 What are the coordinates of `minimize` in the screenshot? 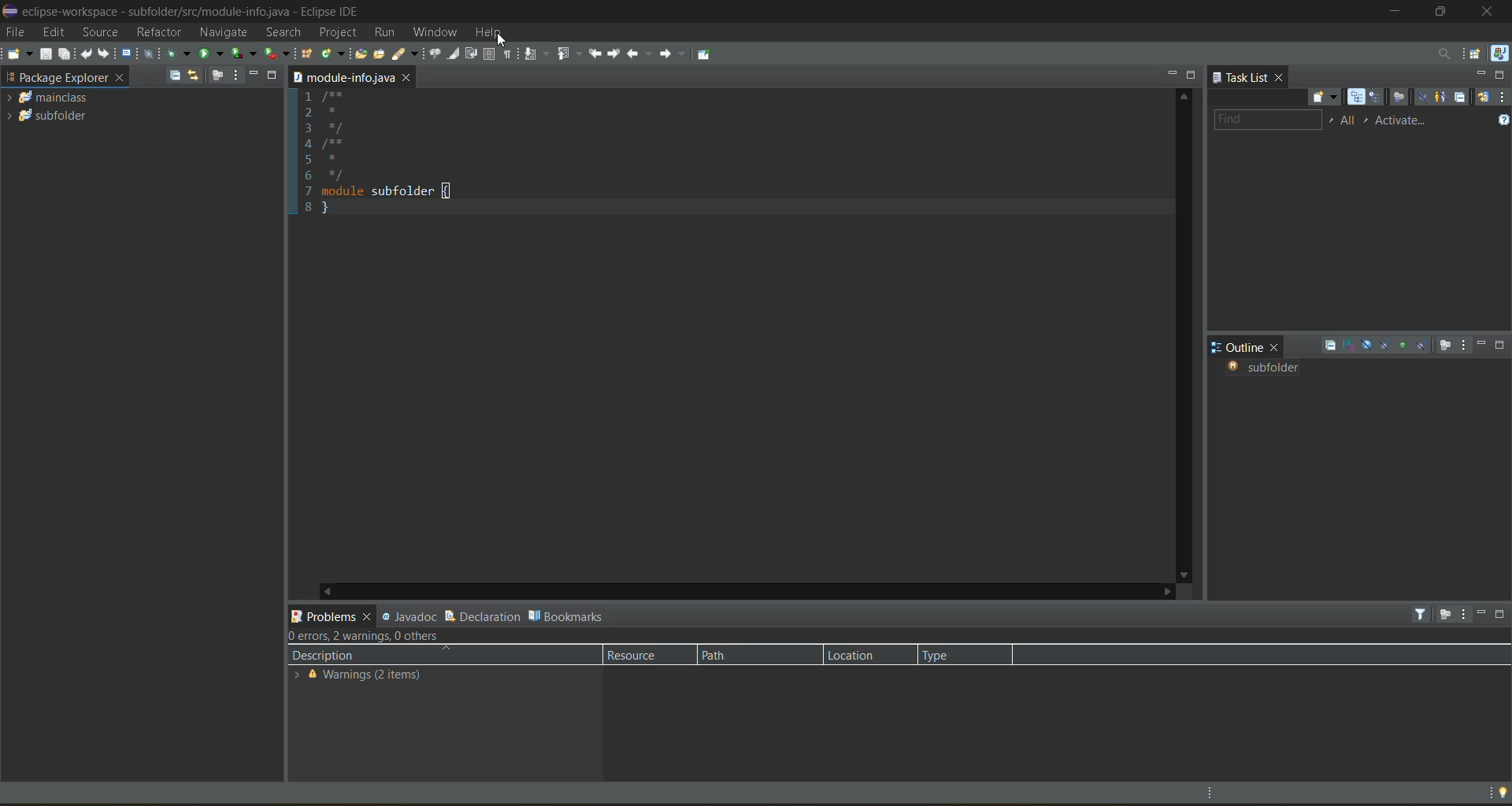 It's located at (1171, 74).